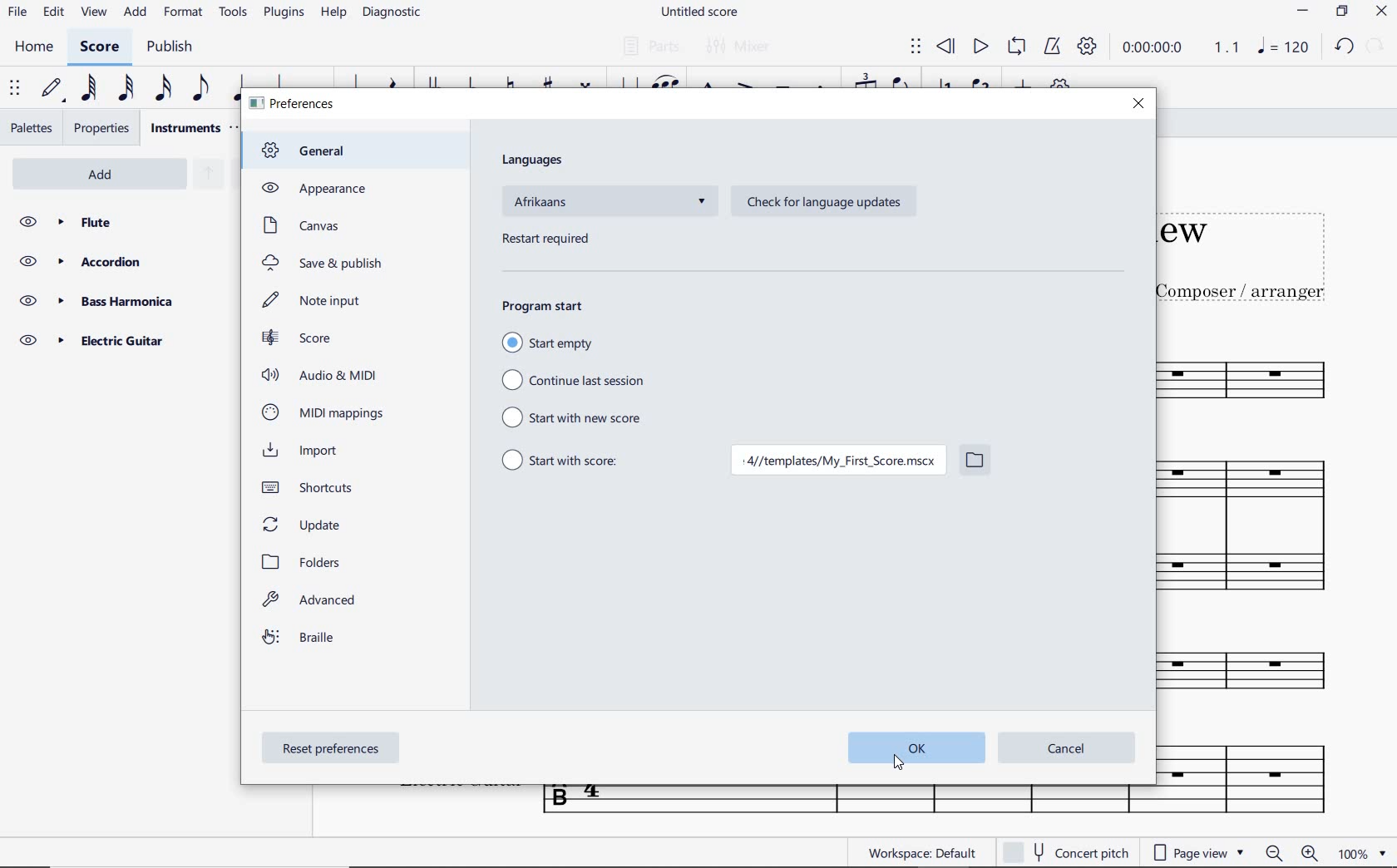  I want to click on home, so click(34, 47).